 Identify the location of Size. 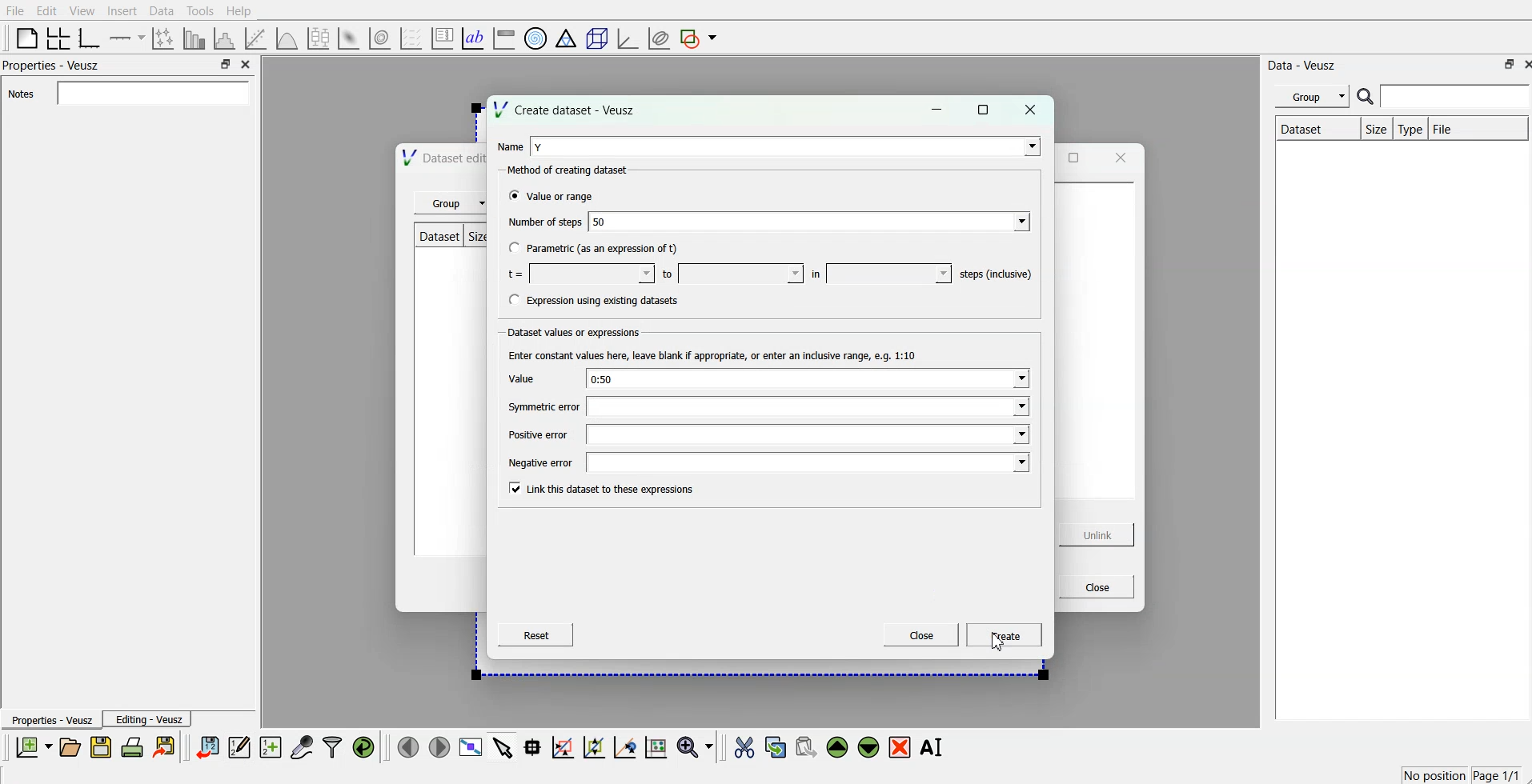
(1375, 130).